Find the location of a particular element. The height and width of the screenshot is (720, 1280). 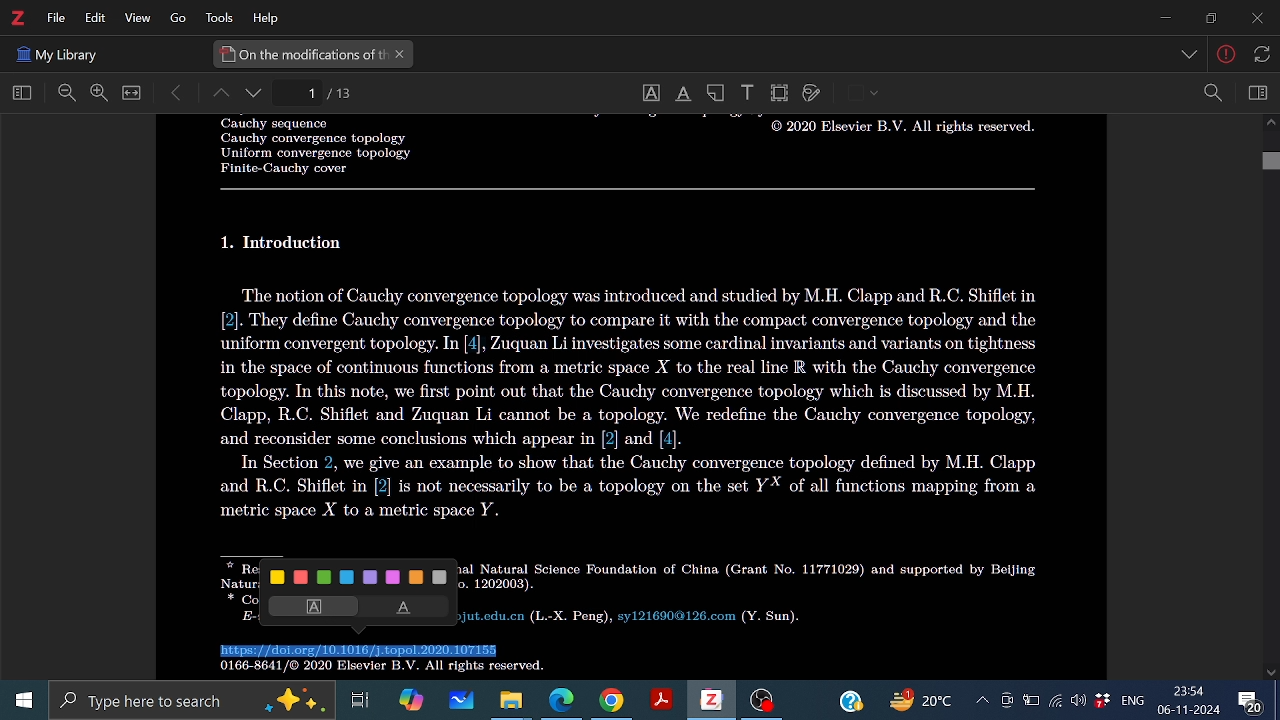

Weather is located at coordinates (925, 701).